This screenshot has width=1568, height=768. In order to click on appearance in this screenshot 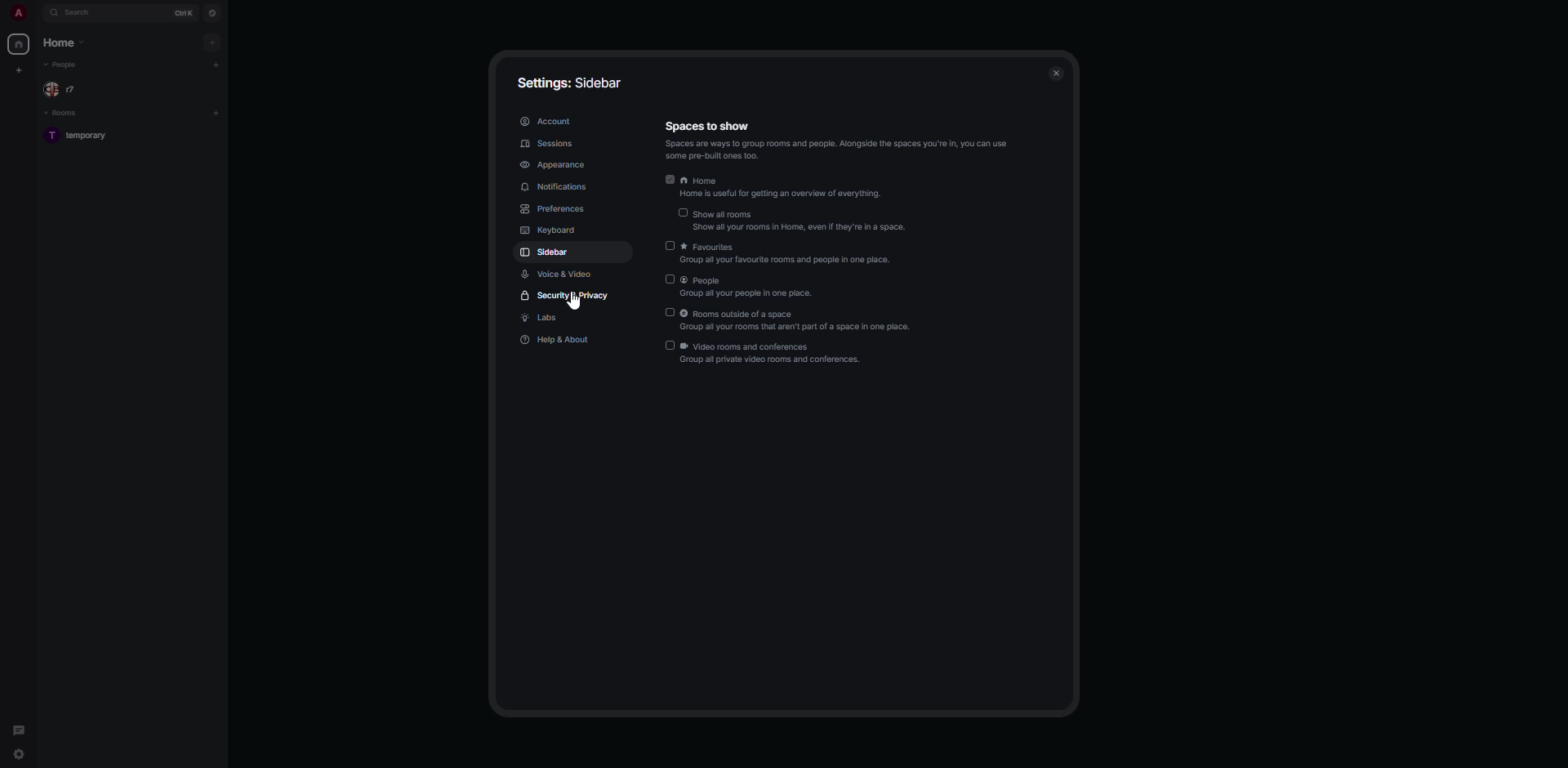, I will do `click(557, 164)`.